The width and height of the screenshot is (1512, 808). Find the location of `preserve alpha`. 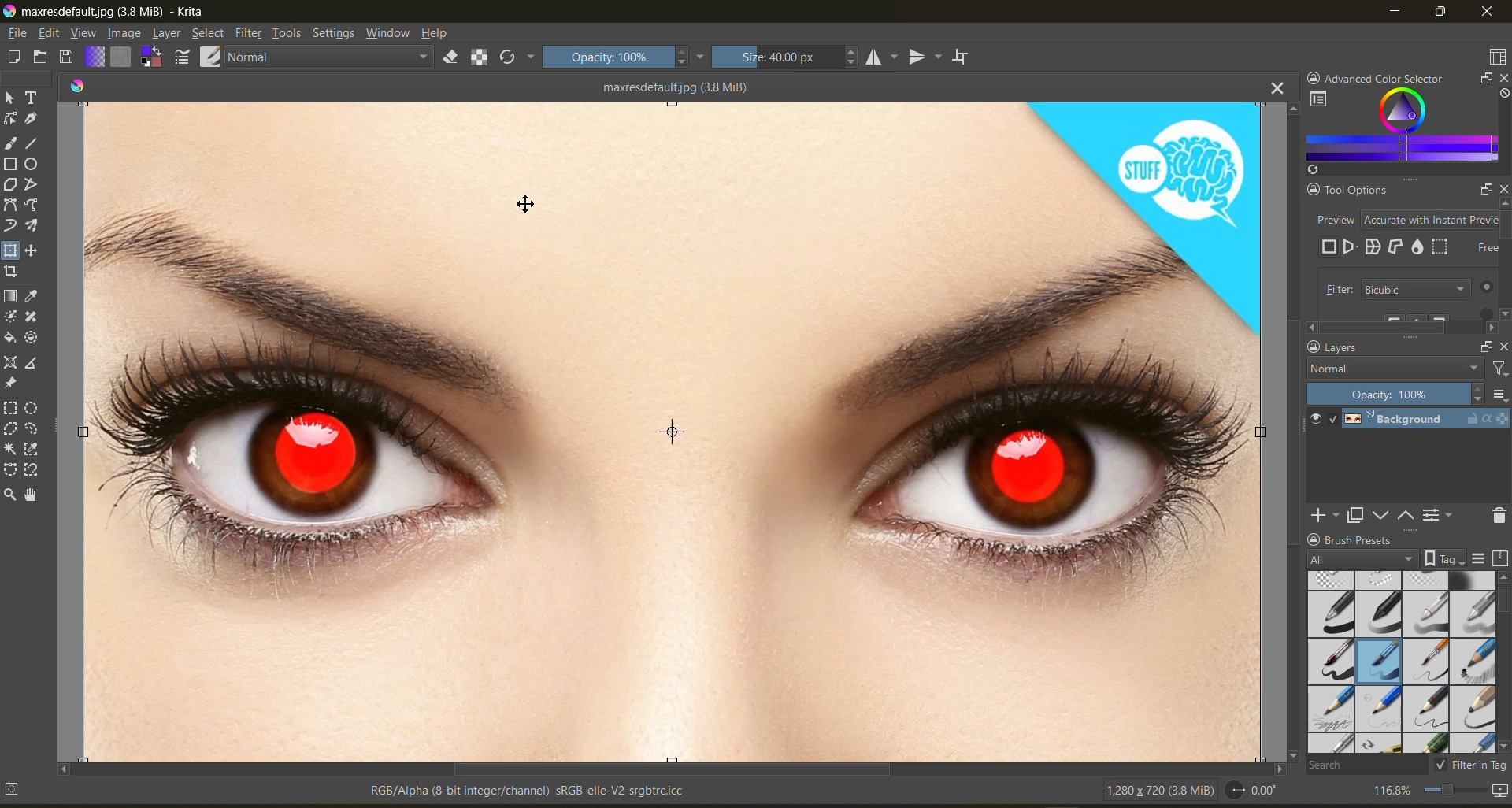

preserve alpha is located at coordinates (481, 57).